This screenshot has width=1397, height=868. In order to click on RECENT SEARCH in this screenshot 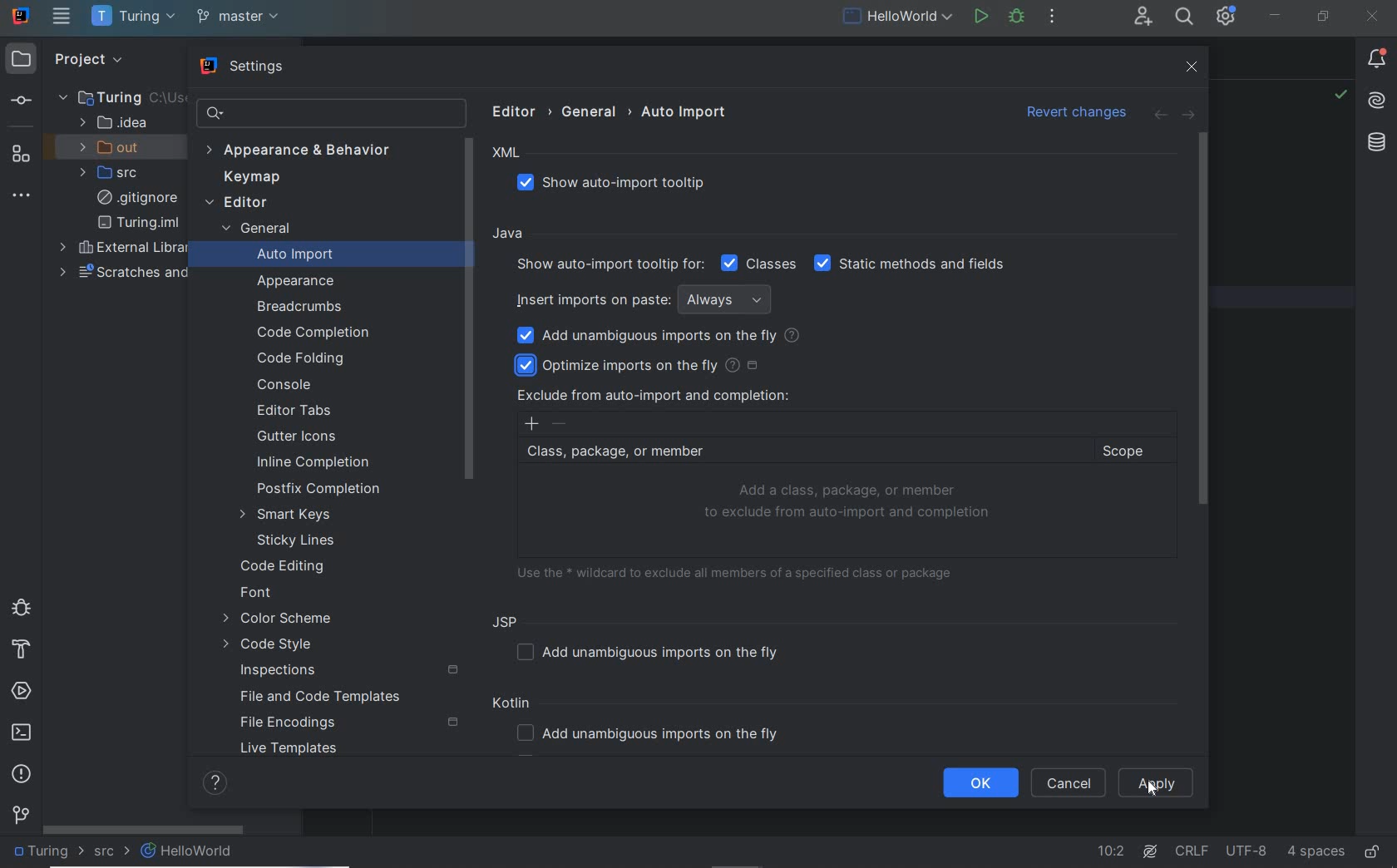, I will do `click(329, 113)`.